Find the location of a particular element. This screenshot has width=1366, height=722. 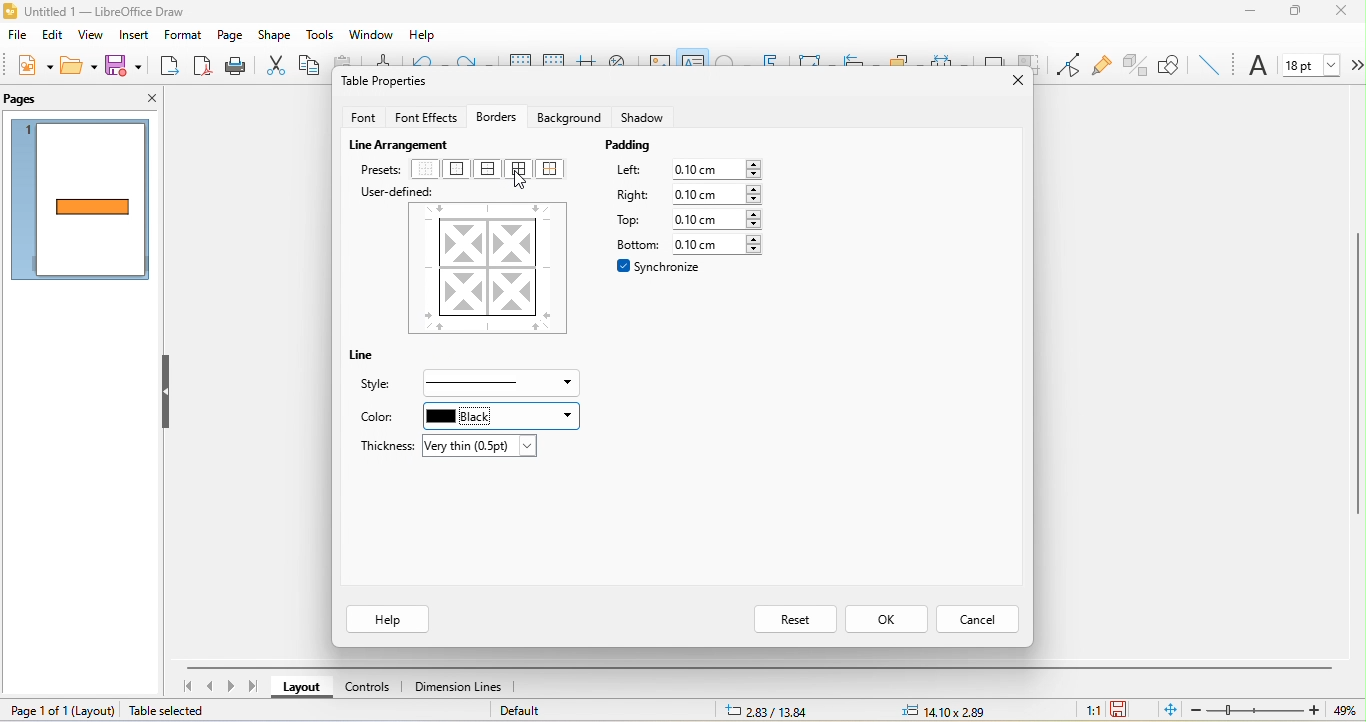

maximize is located at coordinates (1301, 15).